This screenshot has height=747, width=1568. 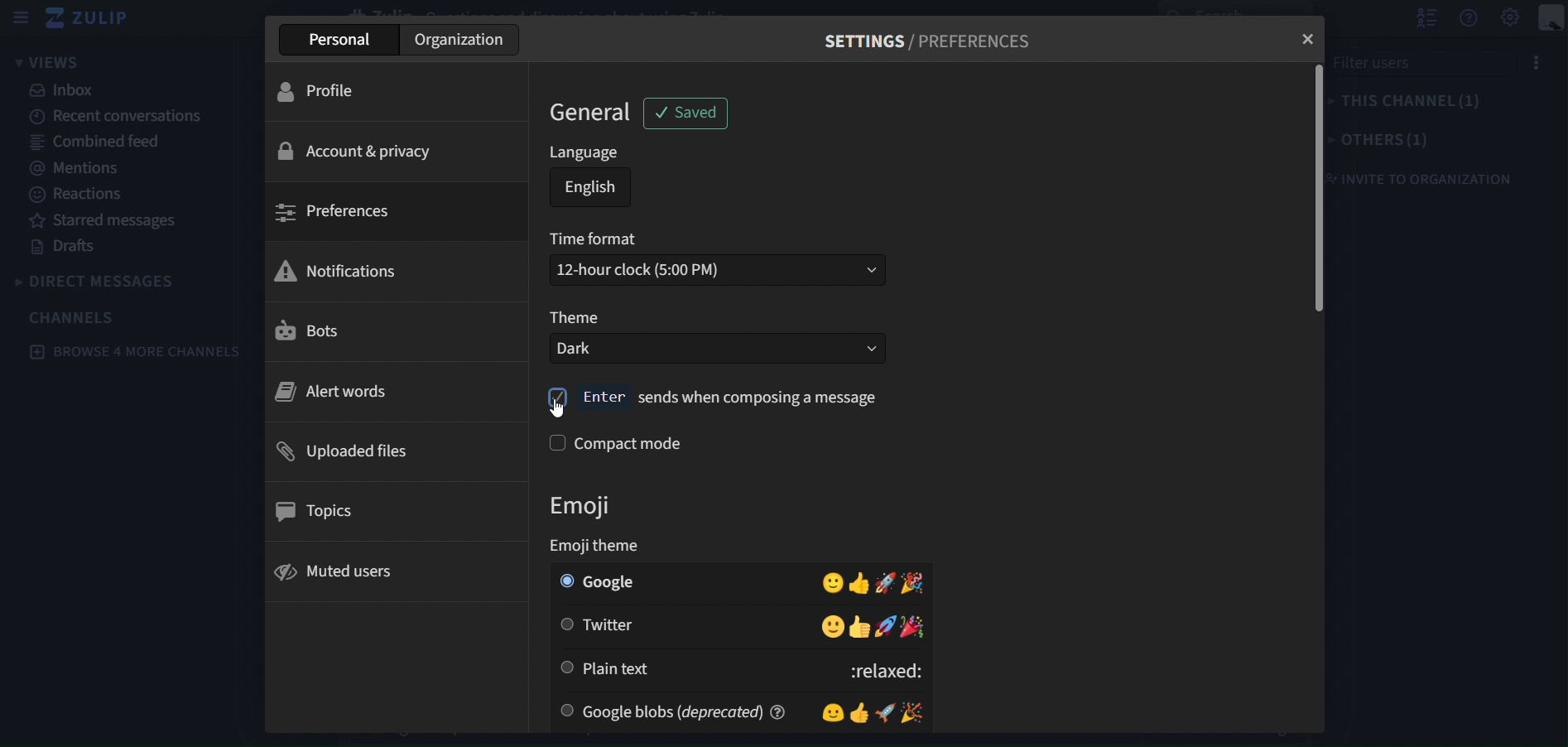 I want to click on English, so click(x=591, y=187).